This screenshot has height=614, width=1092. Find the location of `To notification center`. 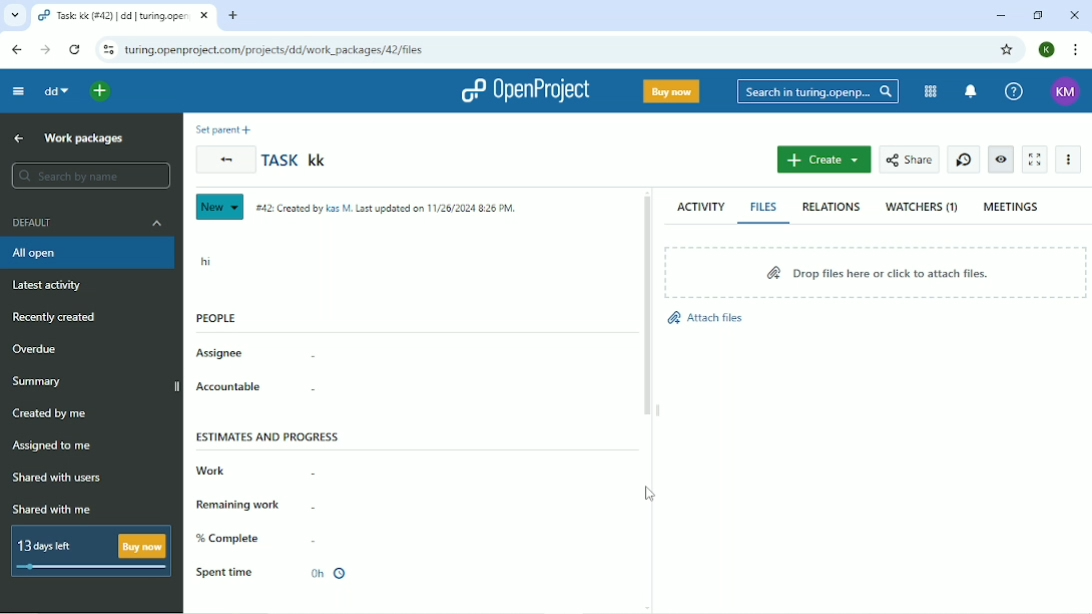

To notification center is located at coordinates (970, 93).